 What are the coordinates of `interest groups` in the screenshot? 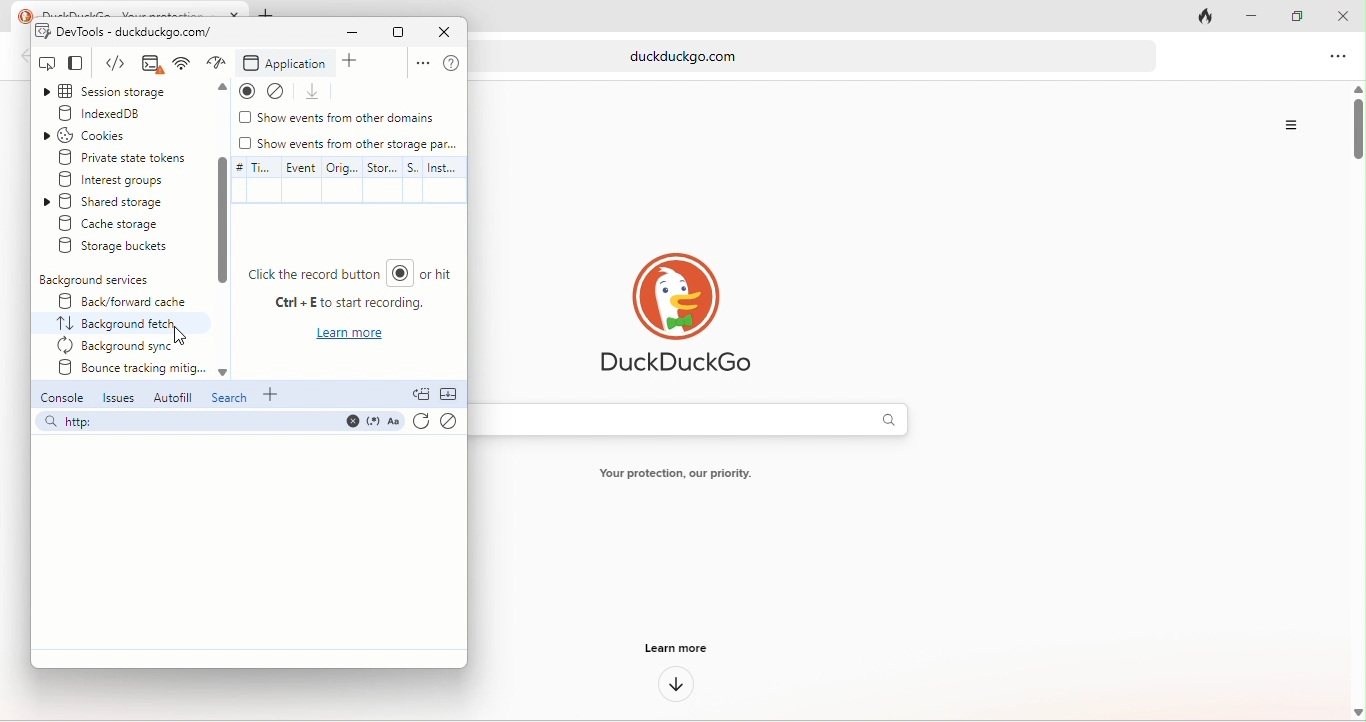 It's located at (126, 180).